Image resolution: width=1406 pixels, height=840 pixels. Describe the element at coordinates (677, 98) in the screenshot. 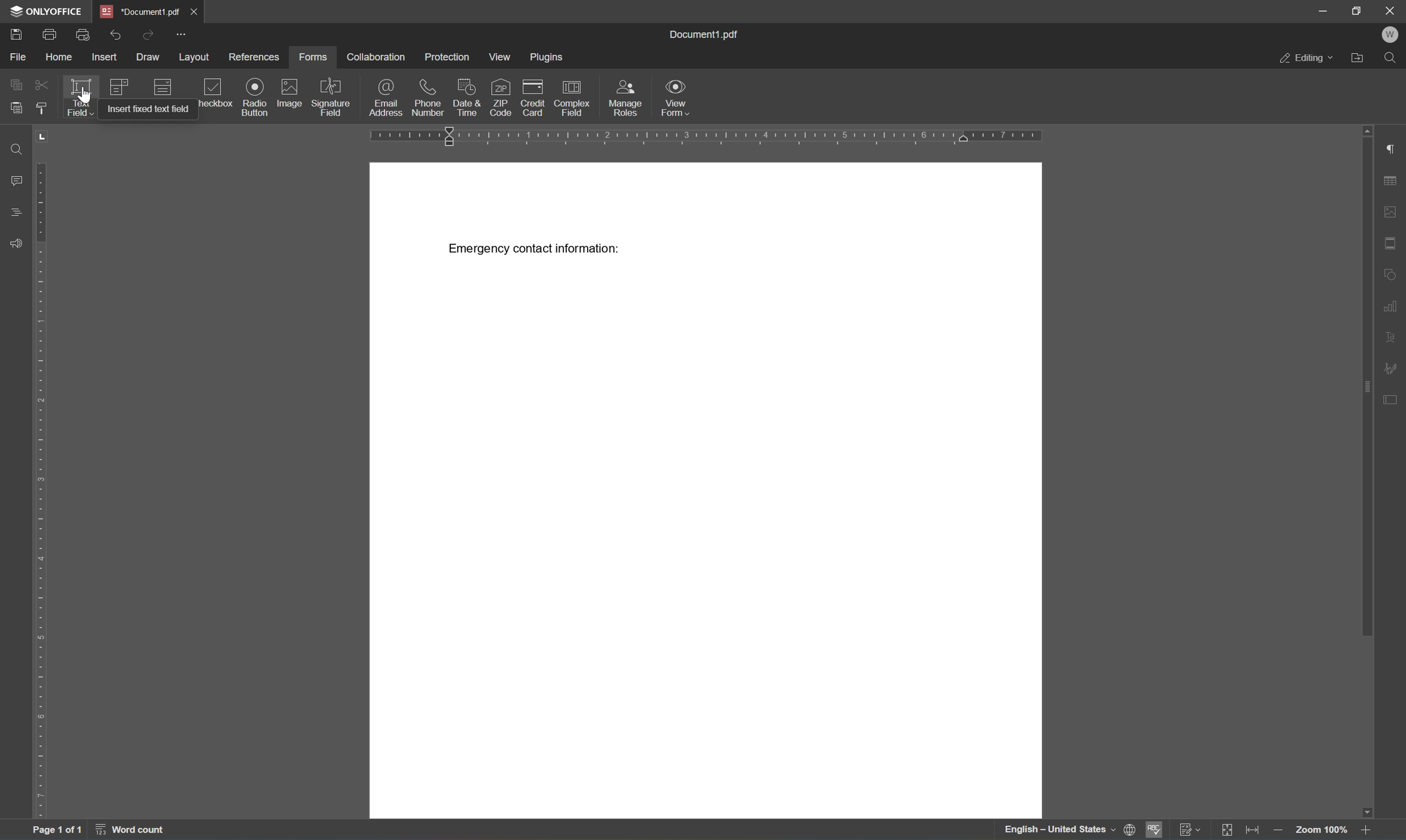

I see `view form` at that location.